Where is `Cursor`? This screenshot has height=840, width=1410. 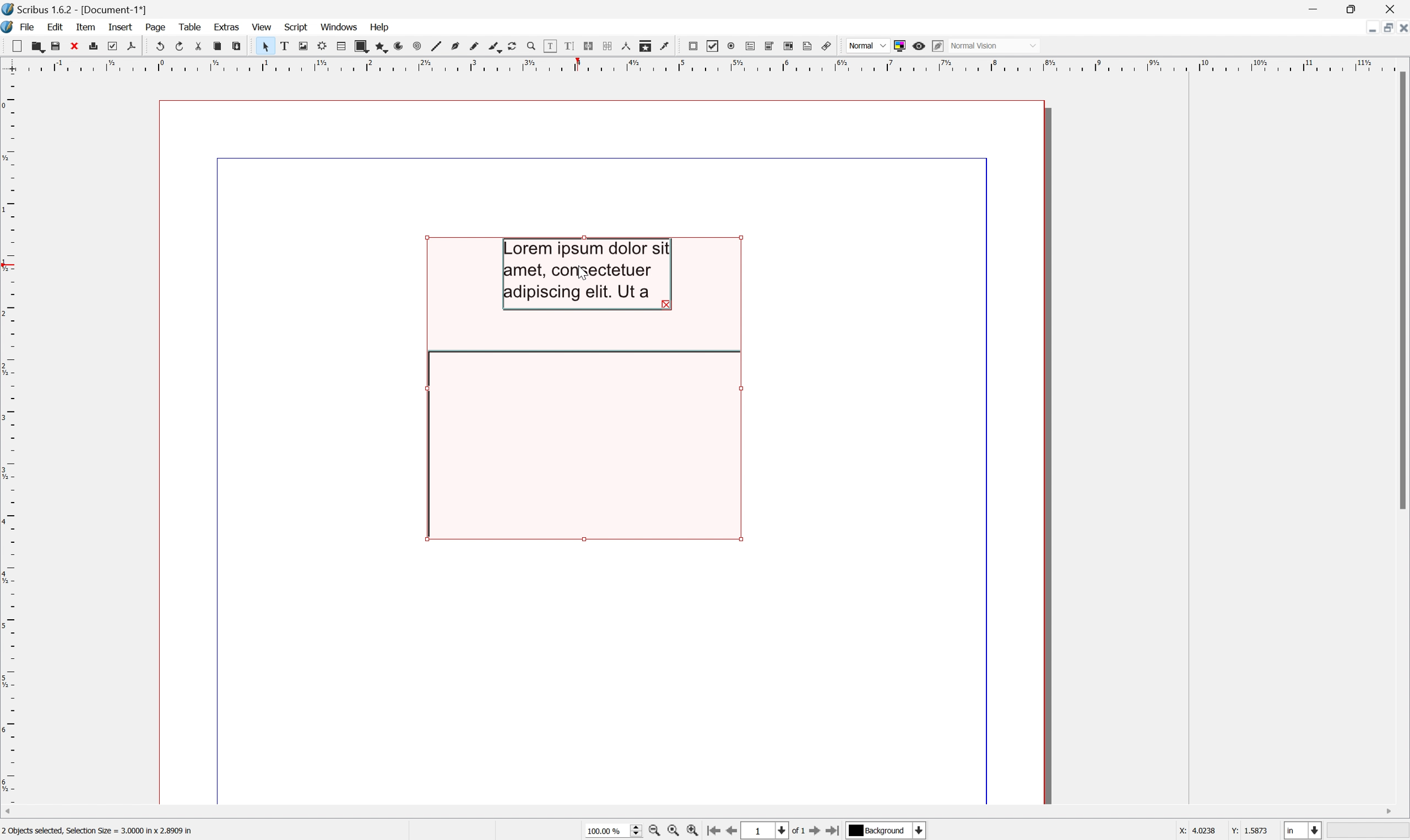
Cursor is located at coordinates (583, 273).